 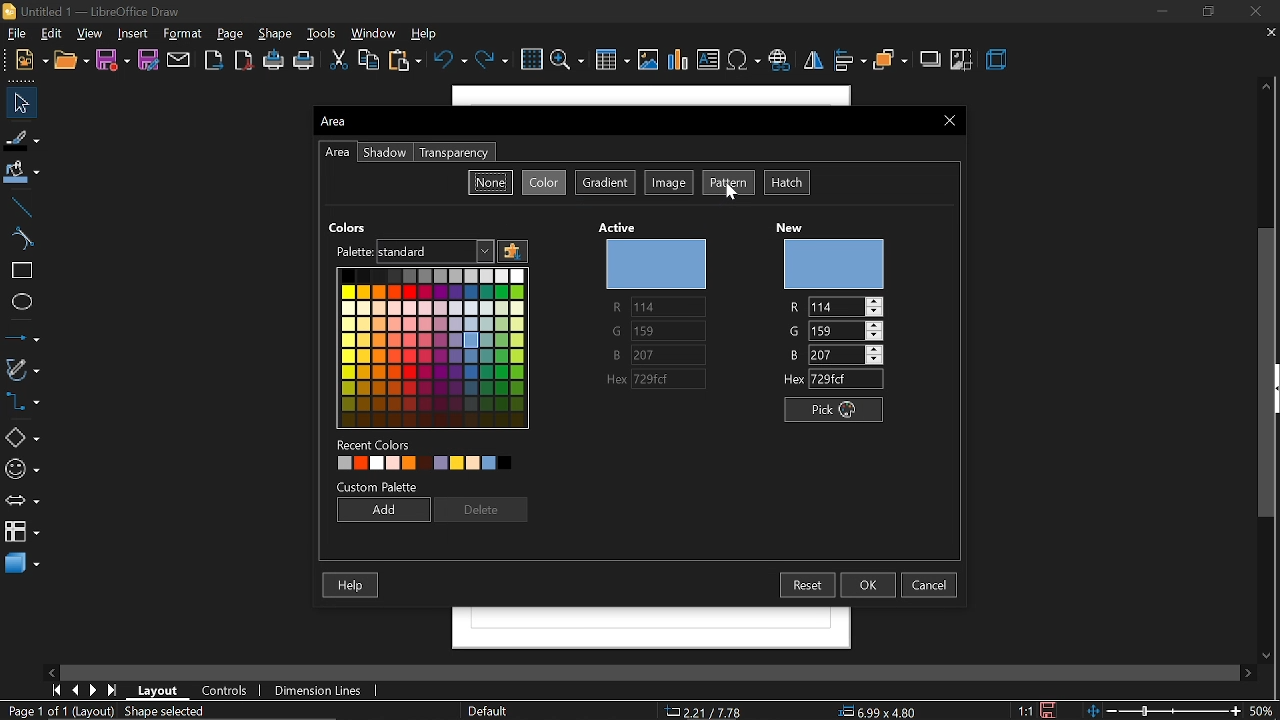 What do you see at coordinates (179, 60) in the screenshot?
I see `attach` at bounding box center [179, 60].